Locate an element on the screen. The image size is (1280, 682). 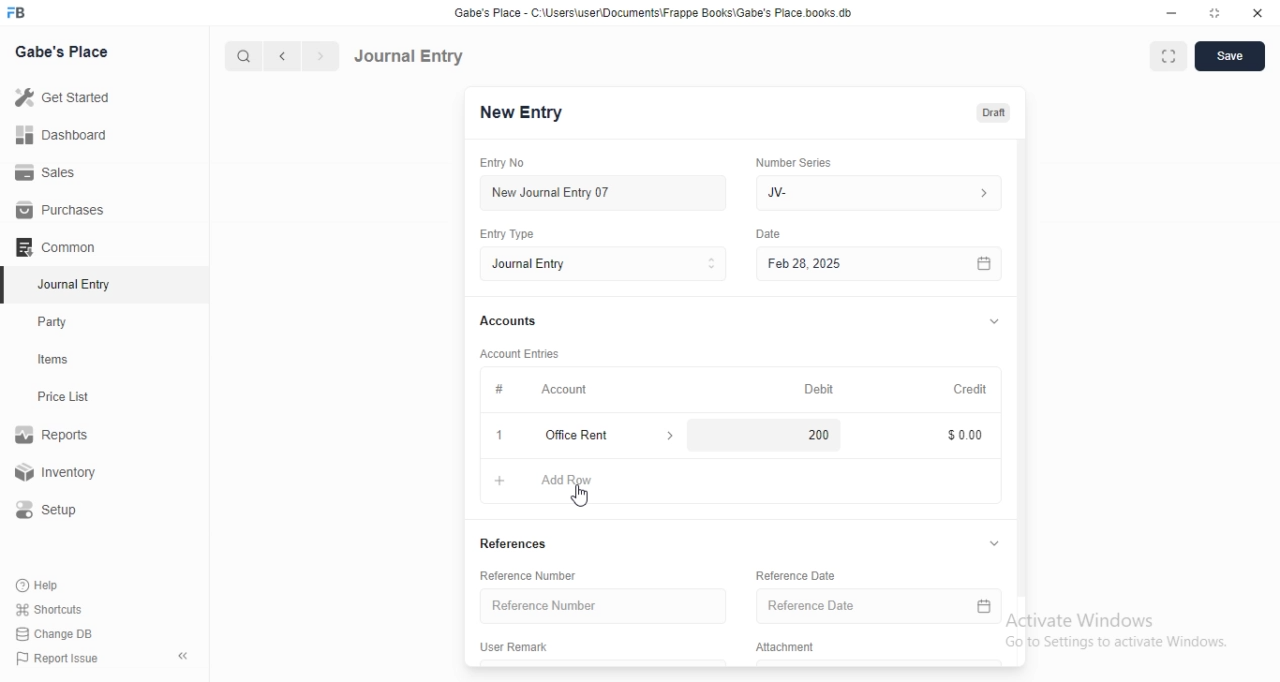
JV- is located at coordinates (883, 193).